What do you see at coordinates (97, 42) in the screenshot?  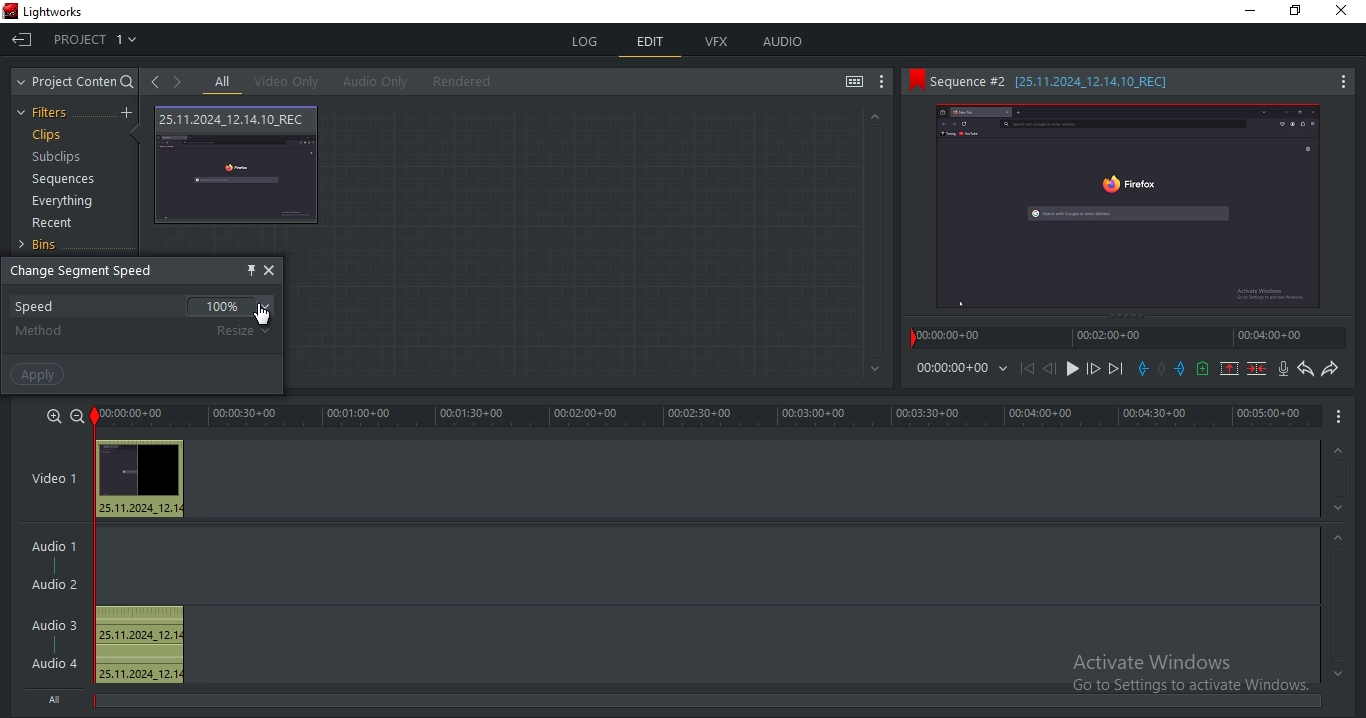 I see `project 1` at bounding box center [97, 42].